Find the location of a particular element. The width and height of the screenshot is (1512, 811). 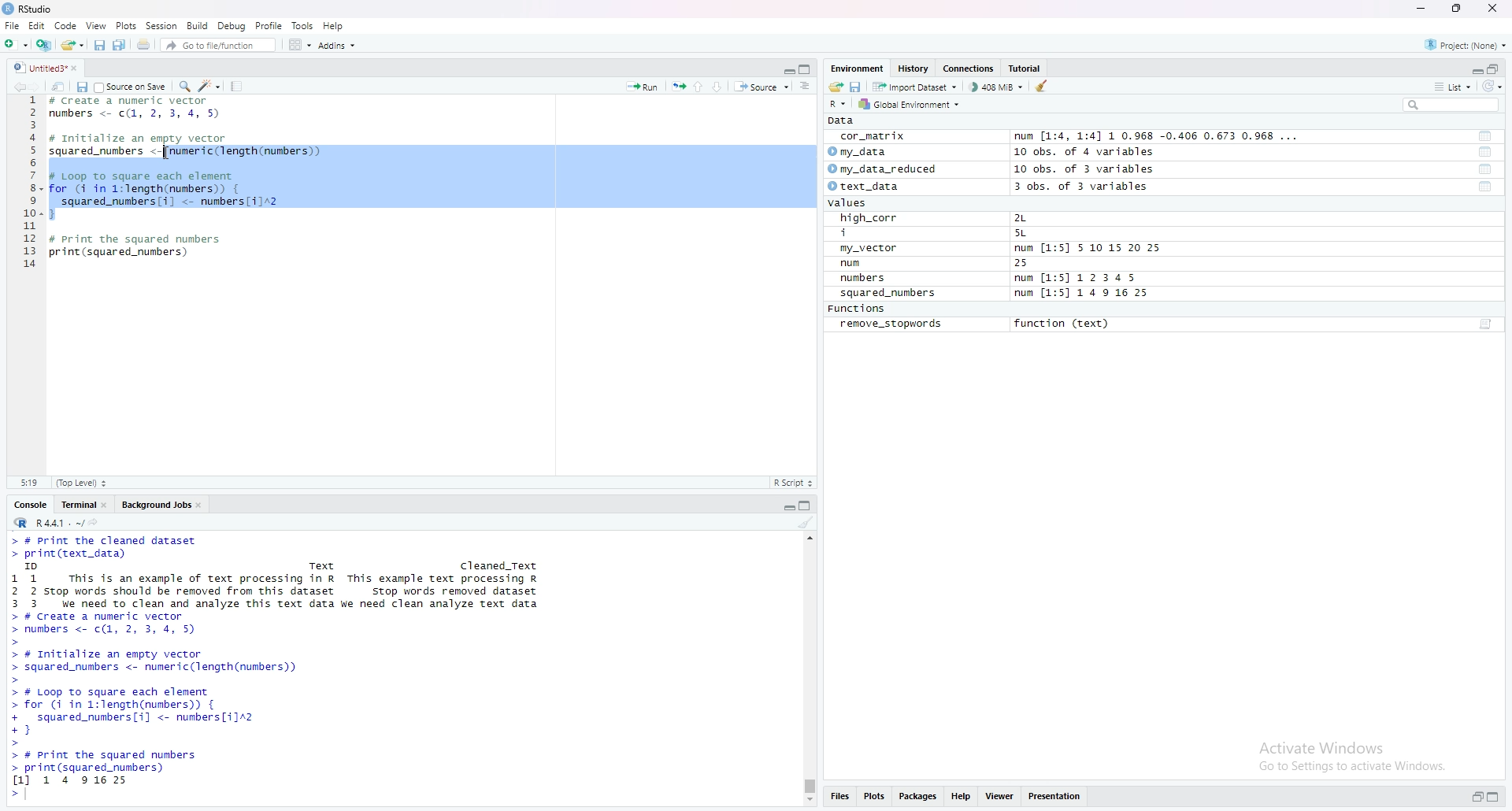

File is located at coordinates (12, 25).